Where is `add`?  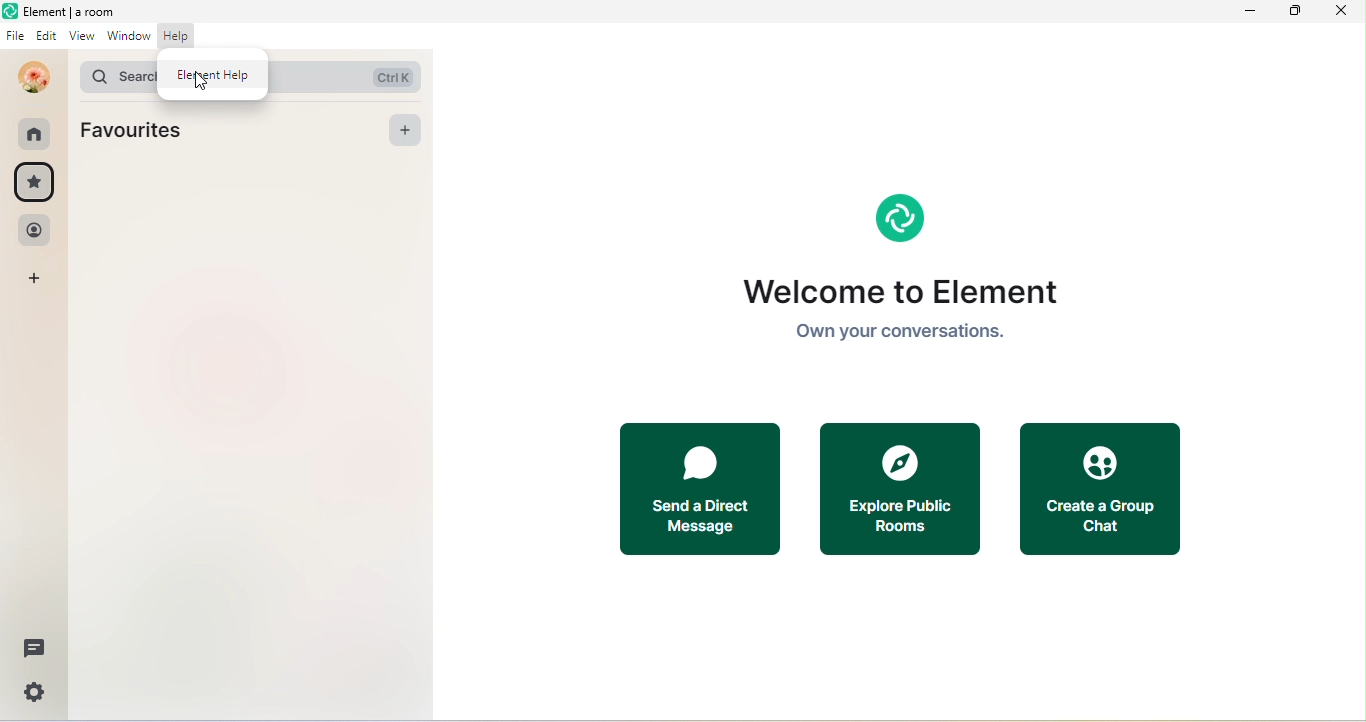 add is located at coordinates (35, 283).